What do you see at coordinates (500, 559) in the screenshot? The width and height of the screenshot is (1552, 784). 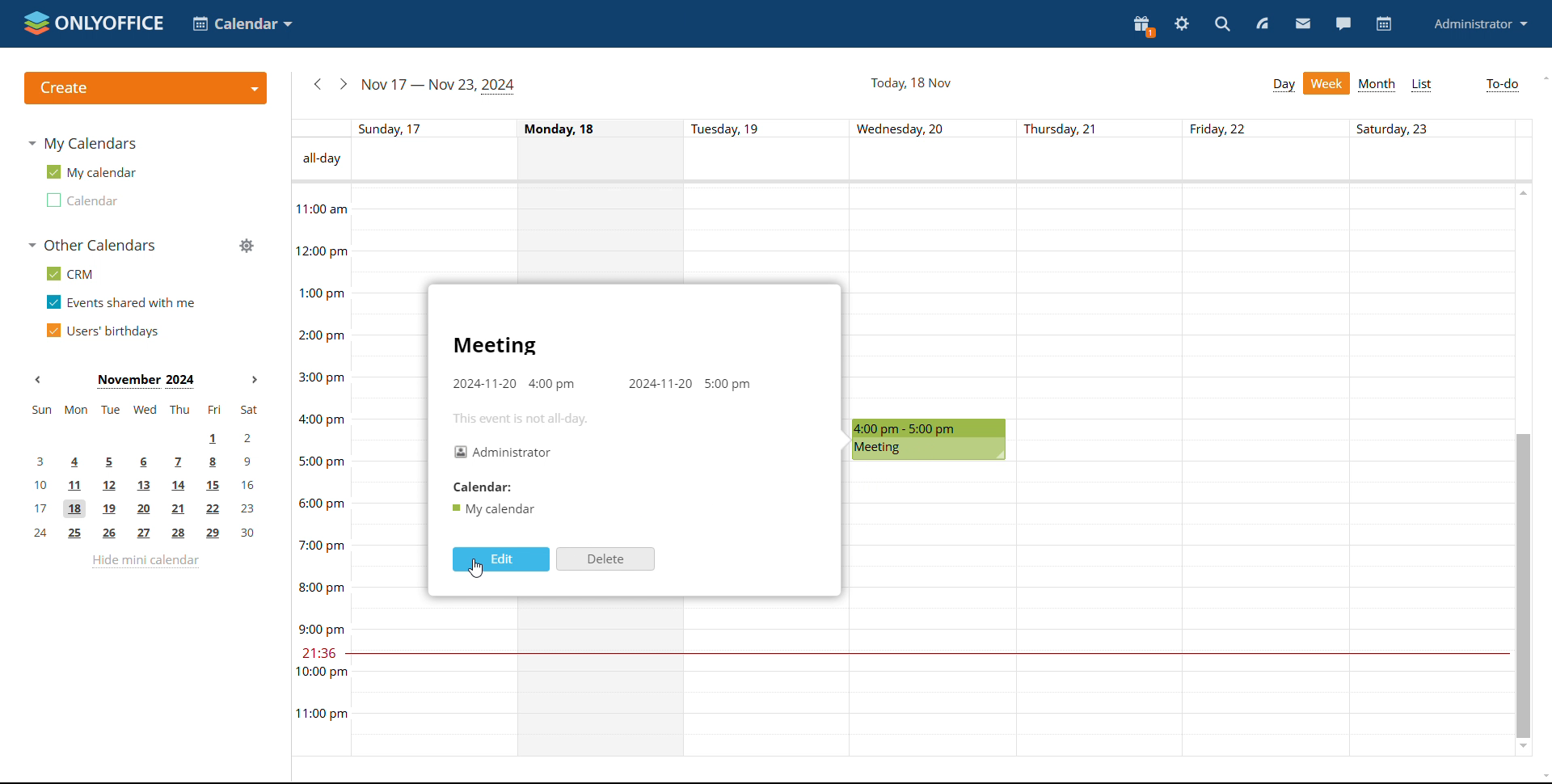 I see `edit` at bounding box center [500, 559].